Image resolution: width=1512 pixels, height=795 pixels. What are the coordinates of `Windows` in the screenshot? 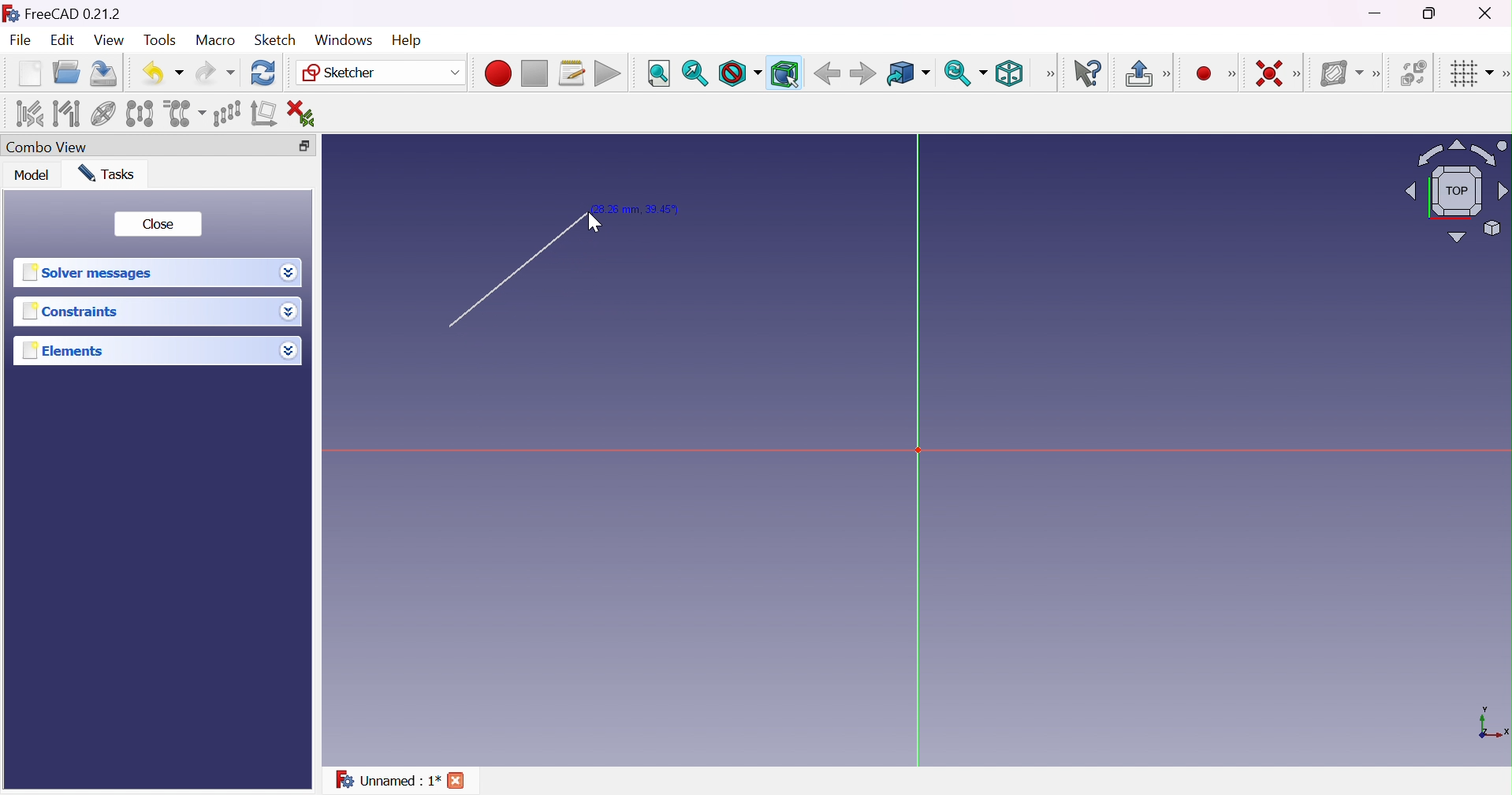 It's located at (342, 39).